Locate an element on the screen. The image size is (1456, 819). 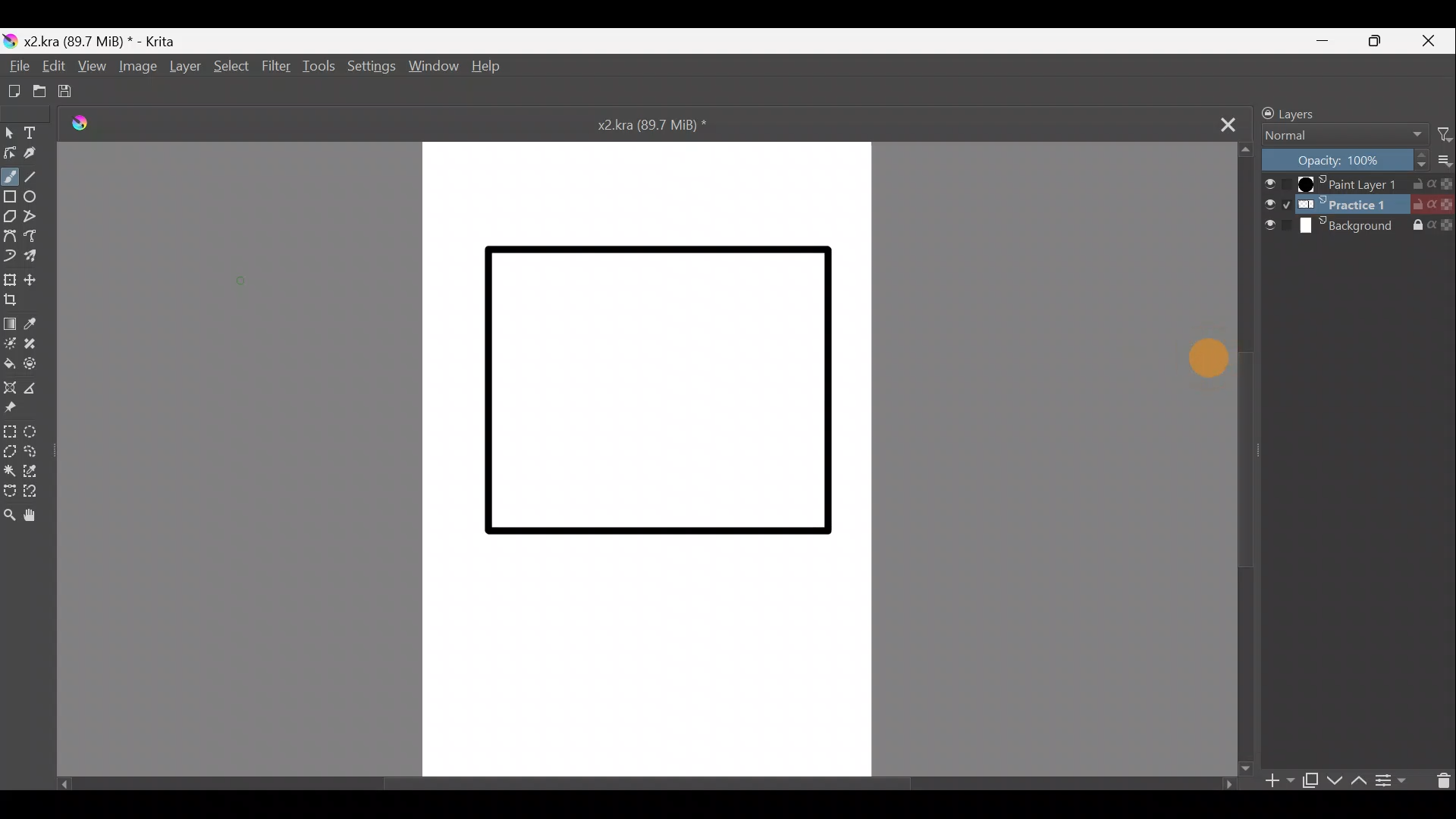
Scroll bar is located at coordinates (1239, 462).